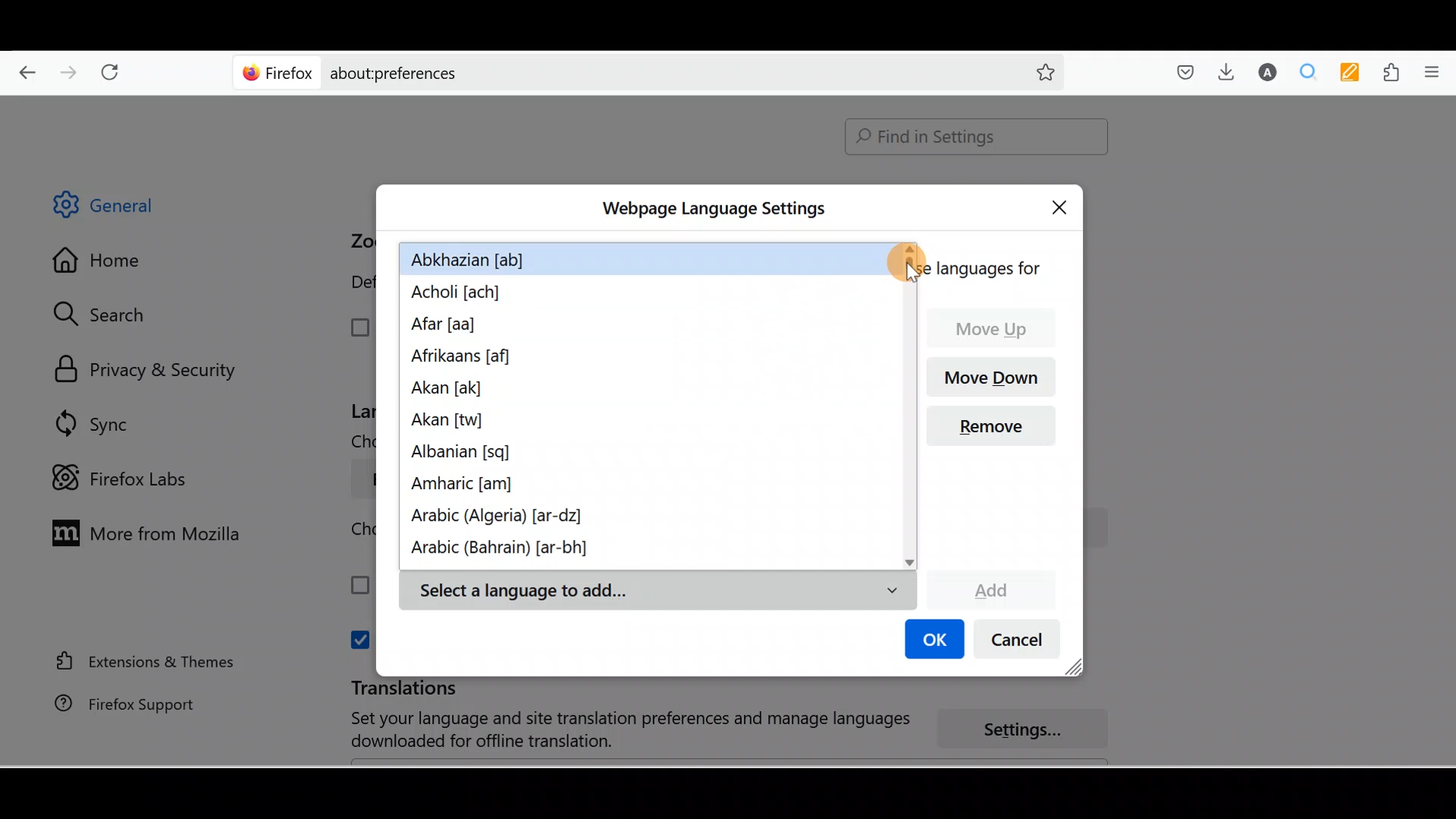 This screenshot has width=1456, height=819. Describe the element at coordinates (450, 423) in the screenshot. I see `Akan [tw]` at that location.